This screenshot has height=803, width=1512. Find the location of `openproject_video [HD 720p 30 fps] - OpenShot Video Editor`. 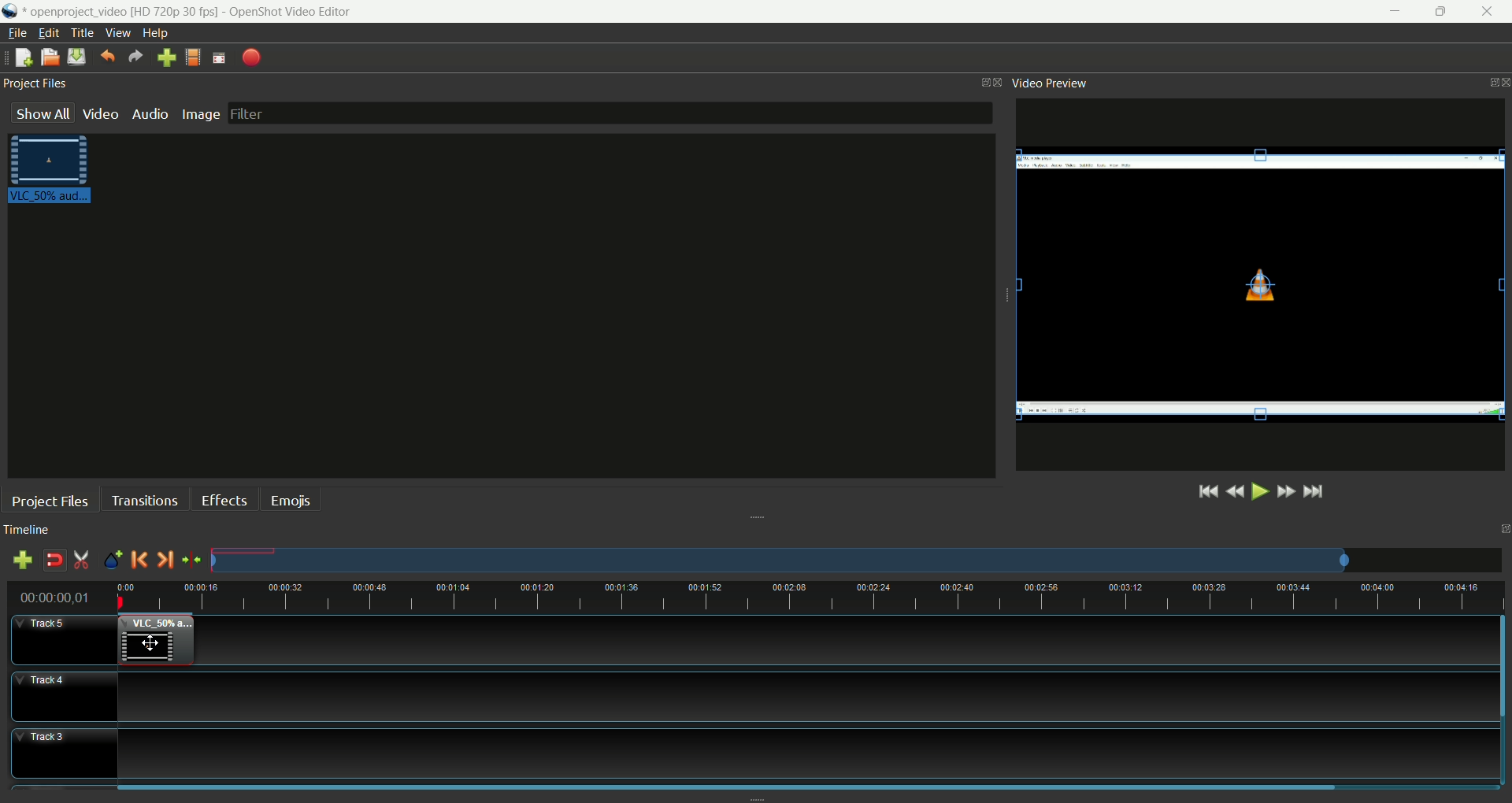

openproject_video [HD 720p 30 fps] - OpenShot Video Editor is located at coordinates (203, 9).